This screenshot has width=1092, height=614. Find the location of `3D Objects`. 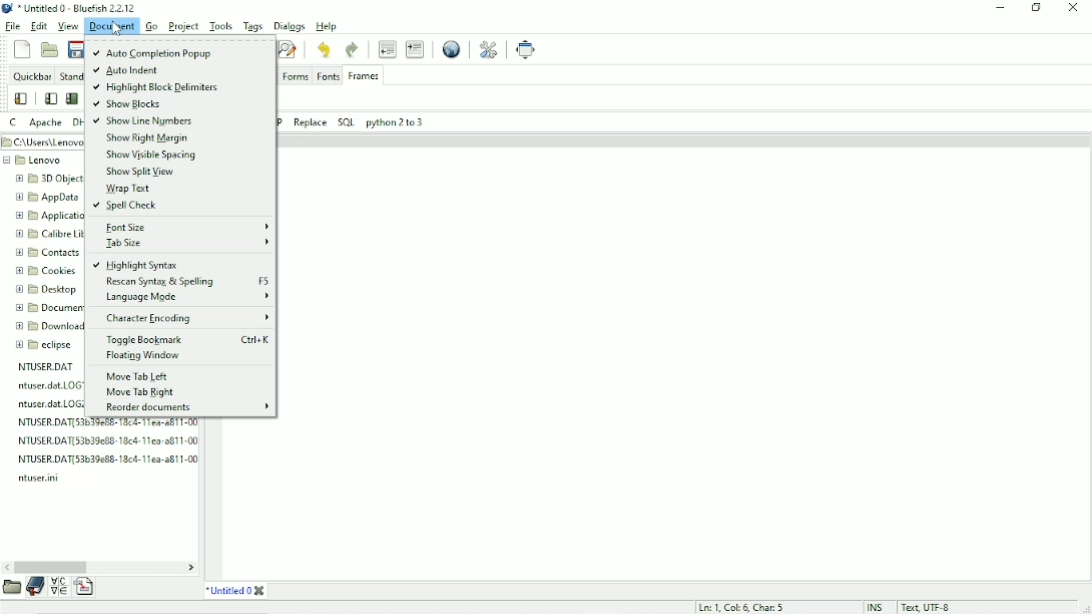

3D Objects is located at coordinates (52, 180).